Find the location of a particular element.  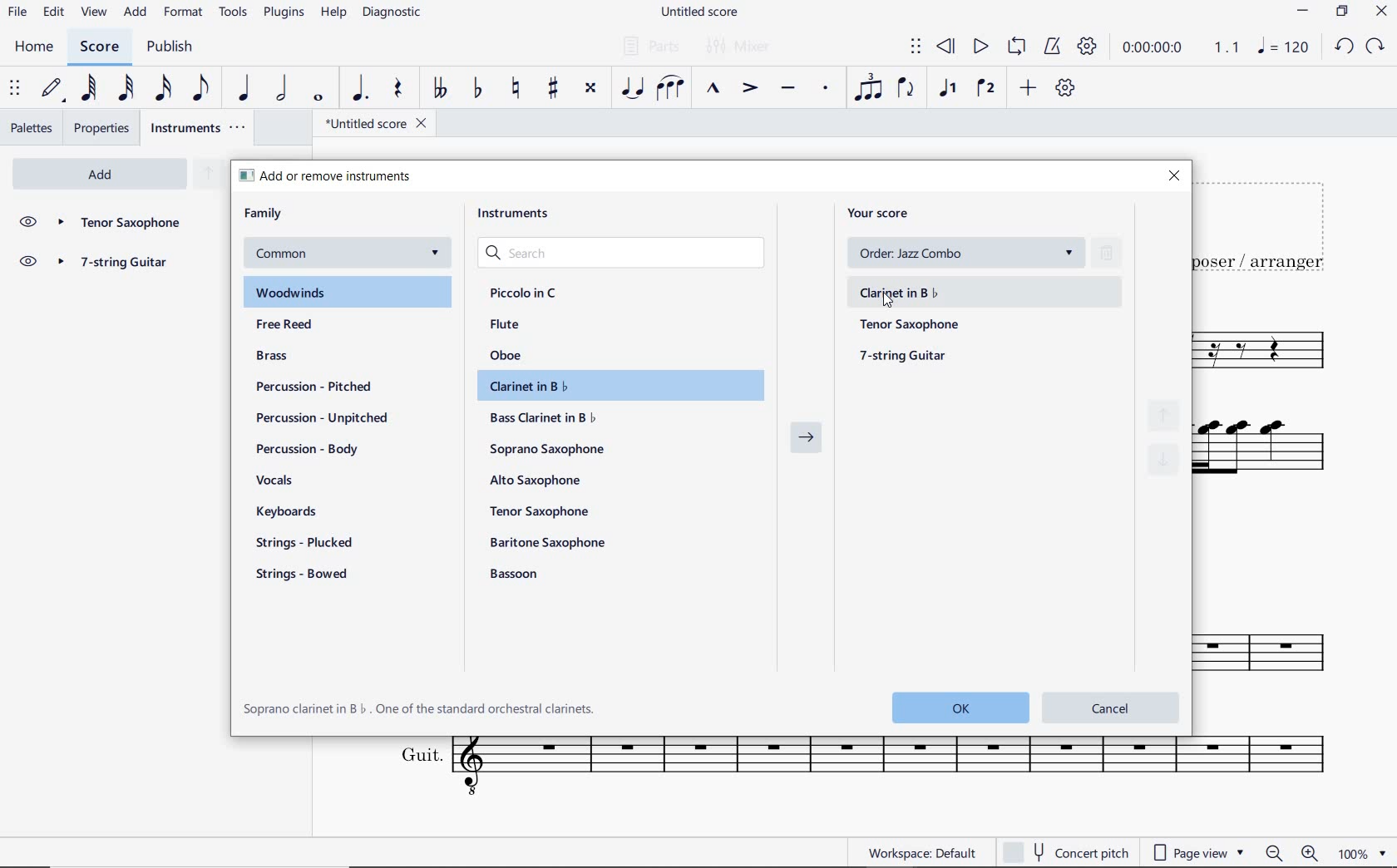

QUARTER NOTE is located at coordinates (245, 88).